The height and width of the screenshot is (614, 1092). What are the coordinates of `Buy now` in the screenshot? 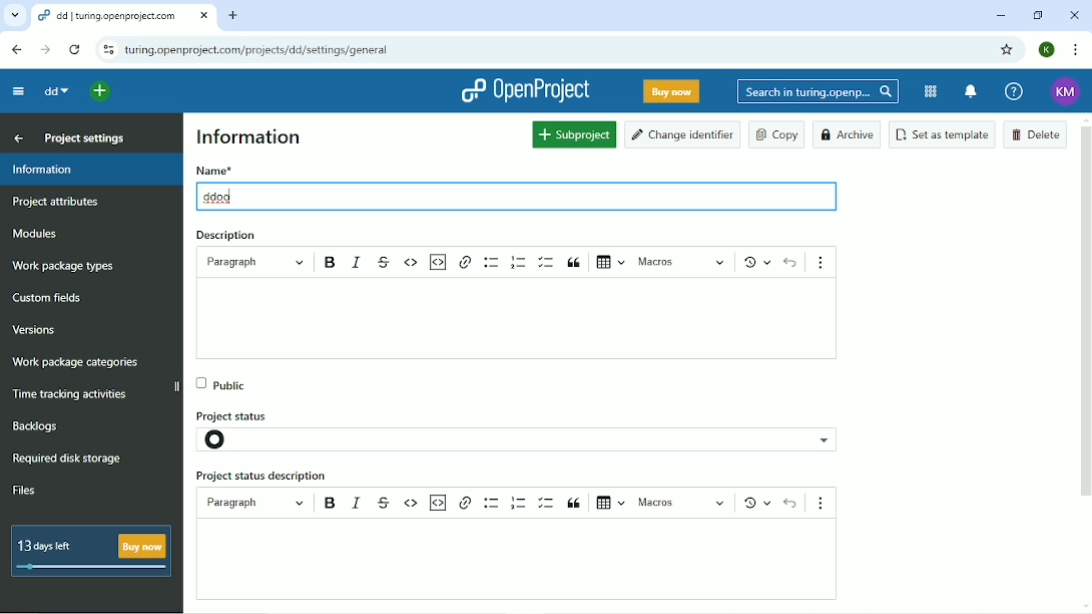 It's located at (672, 92).